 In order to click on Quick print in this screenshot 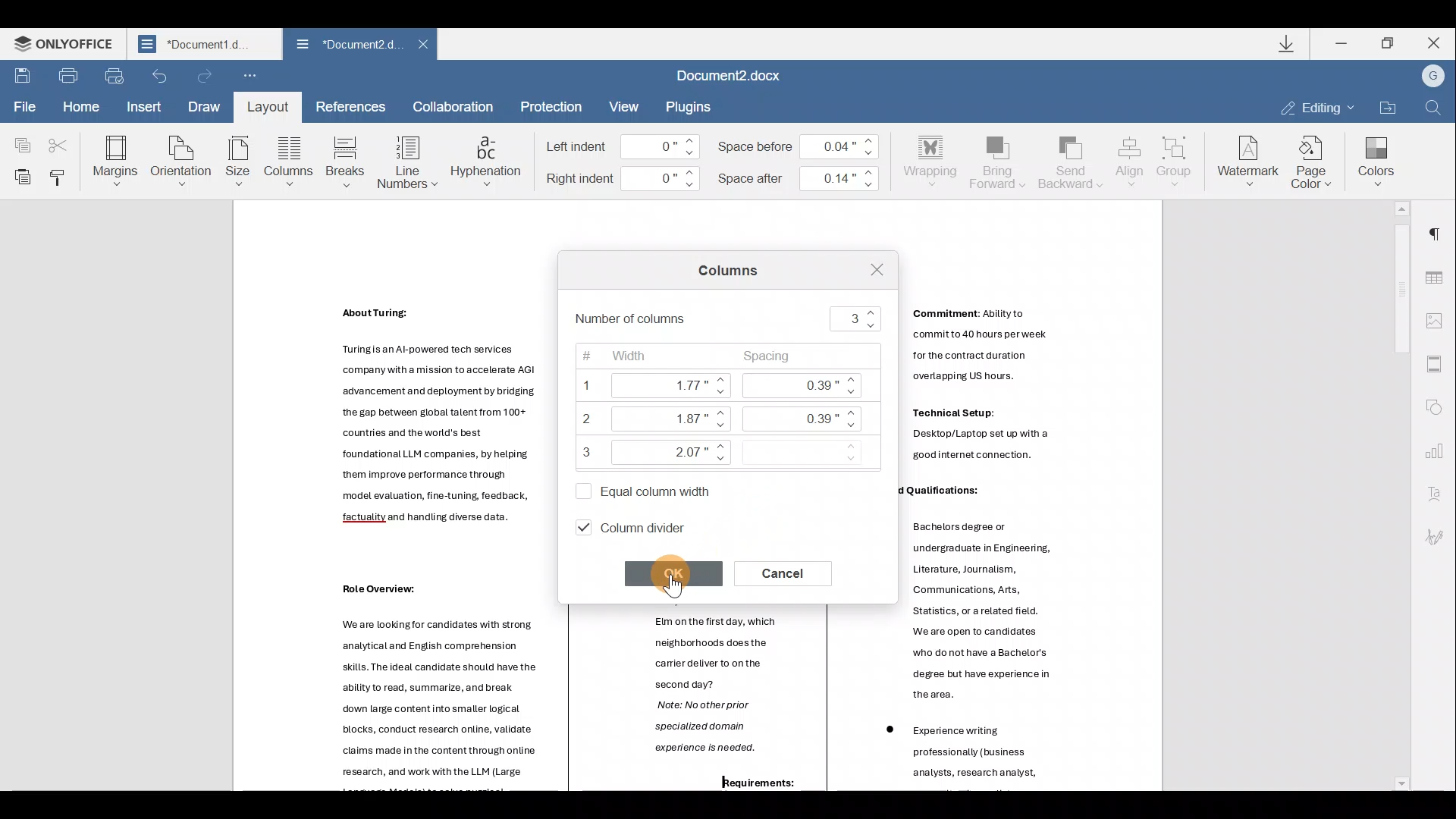, I will do `click(115, 74)`.